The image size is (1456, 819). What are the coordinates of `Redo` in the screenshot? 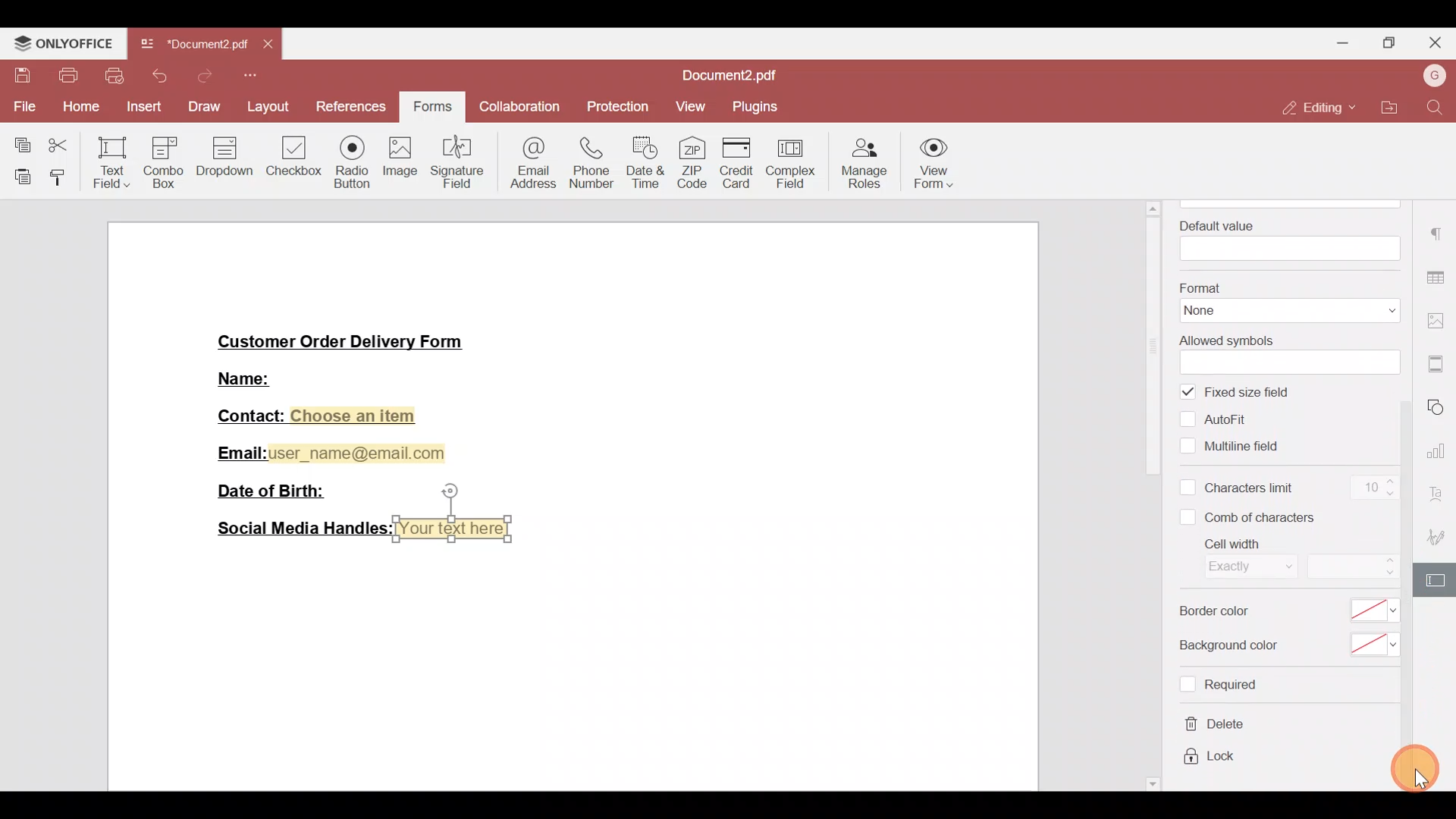 It's located at (202, 76).